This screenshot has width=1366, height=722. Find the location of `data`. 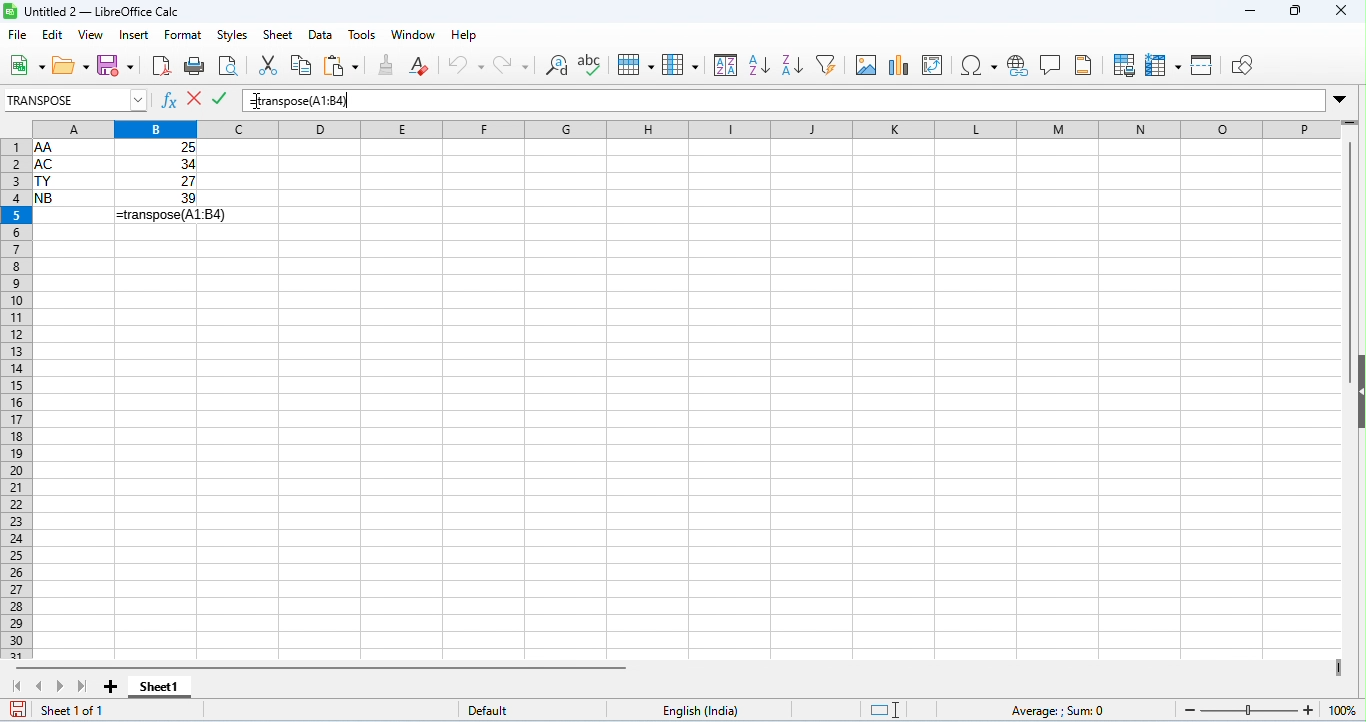

data is located at coordinates (321, 36).